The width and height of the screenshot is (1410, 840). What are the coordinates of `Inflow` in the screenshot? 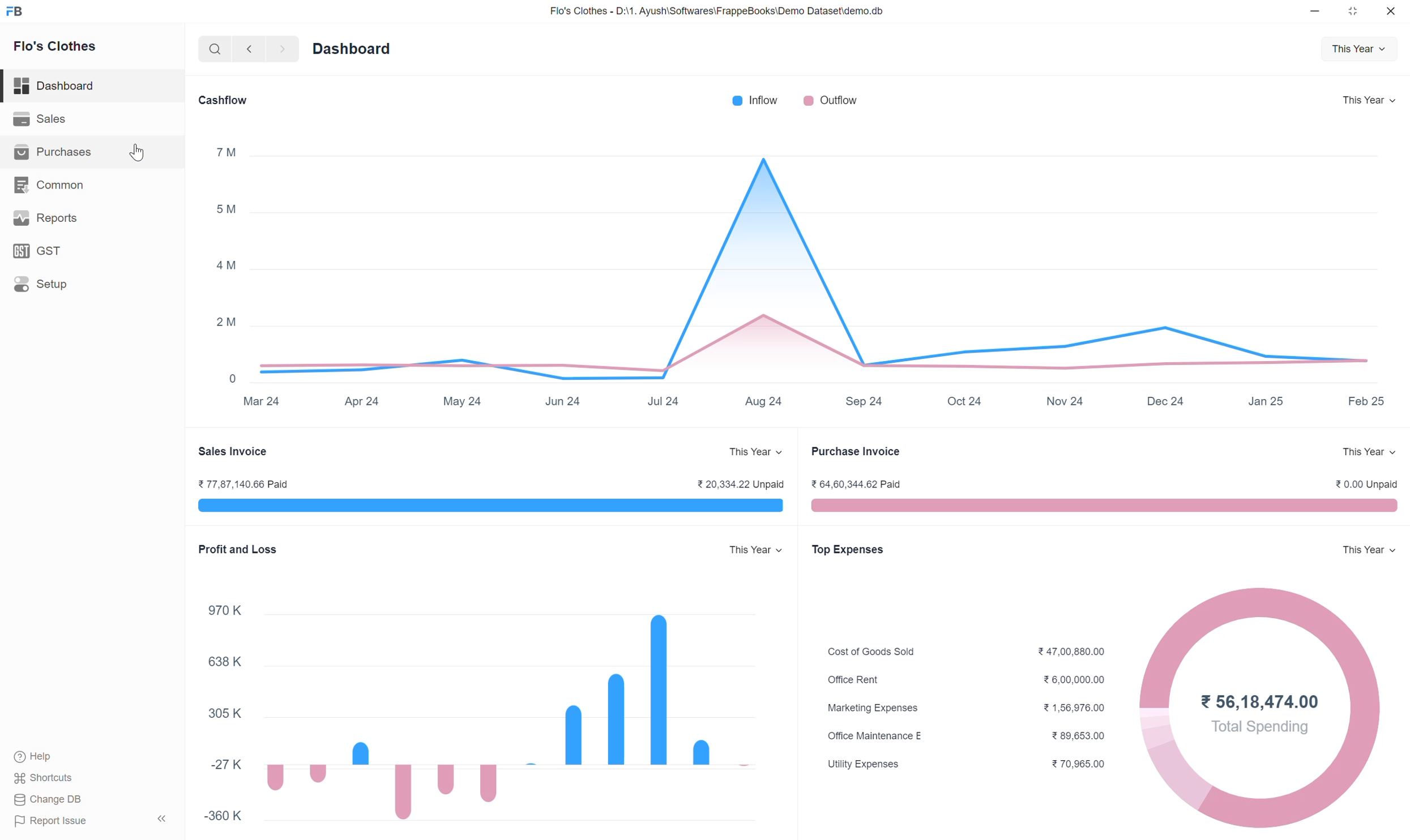 It's located at (755, 100).